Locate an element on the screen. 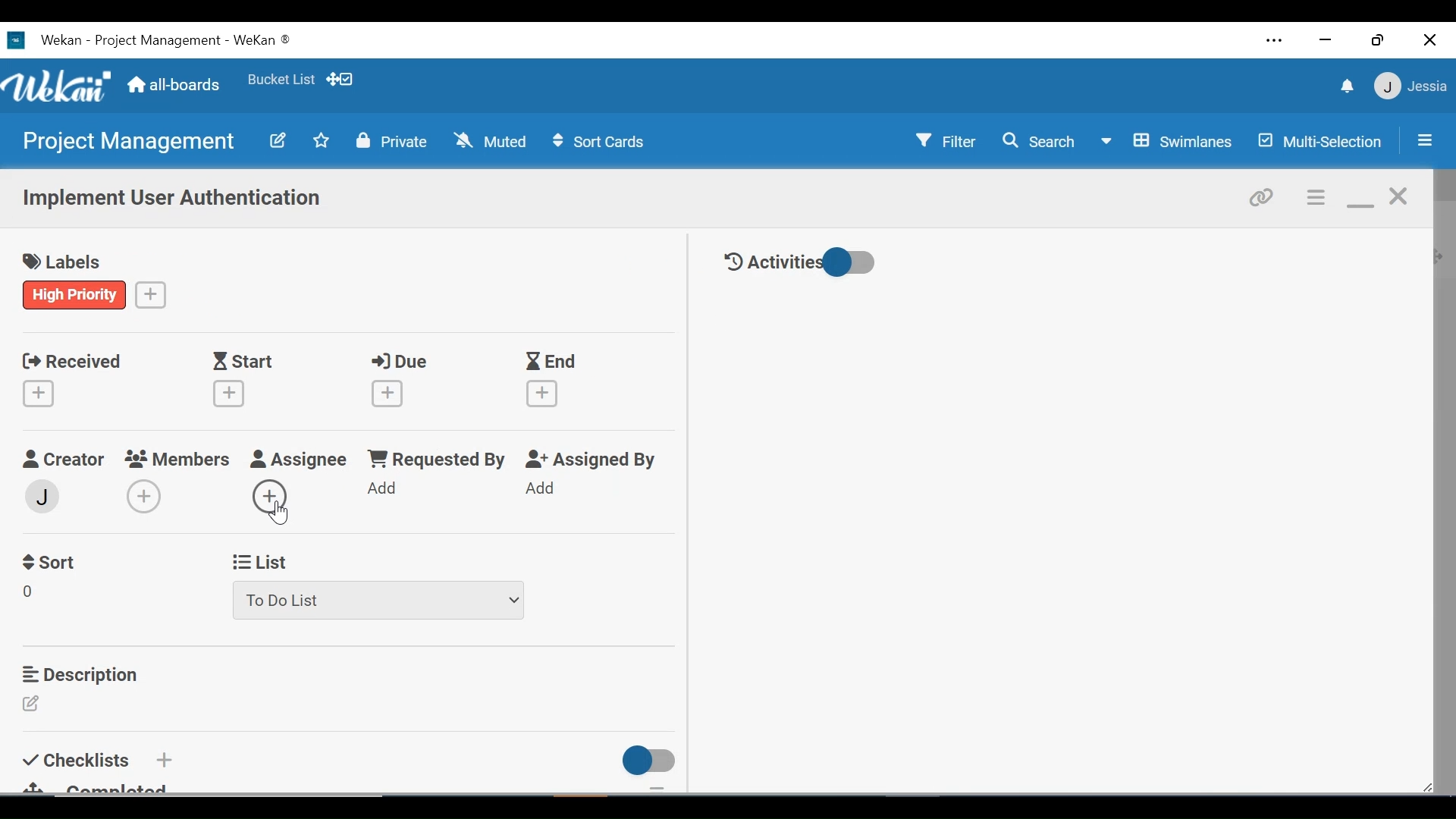  minimize is located at coordinates (1323, 41).